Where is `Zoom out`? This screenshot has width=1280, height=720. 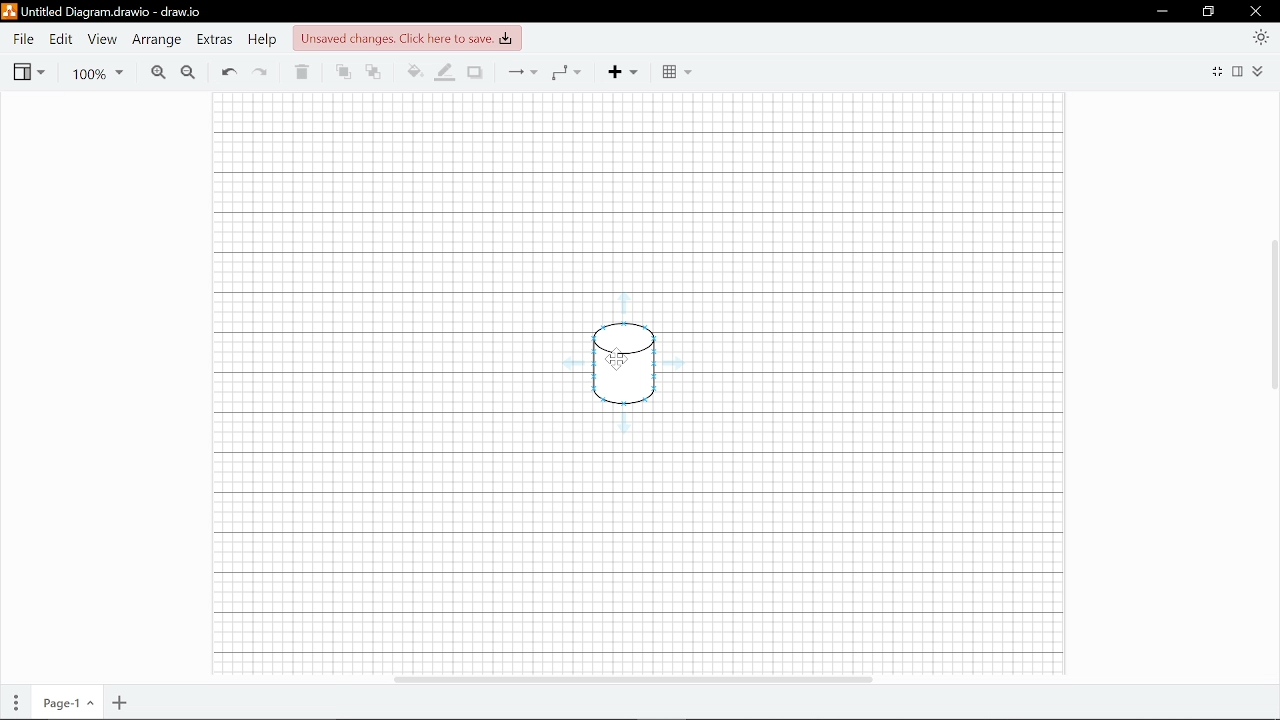
Zoom out is located at coordinates (189, 72).